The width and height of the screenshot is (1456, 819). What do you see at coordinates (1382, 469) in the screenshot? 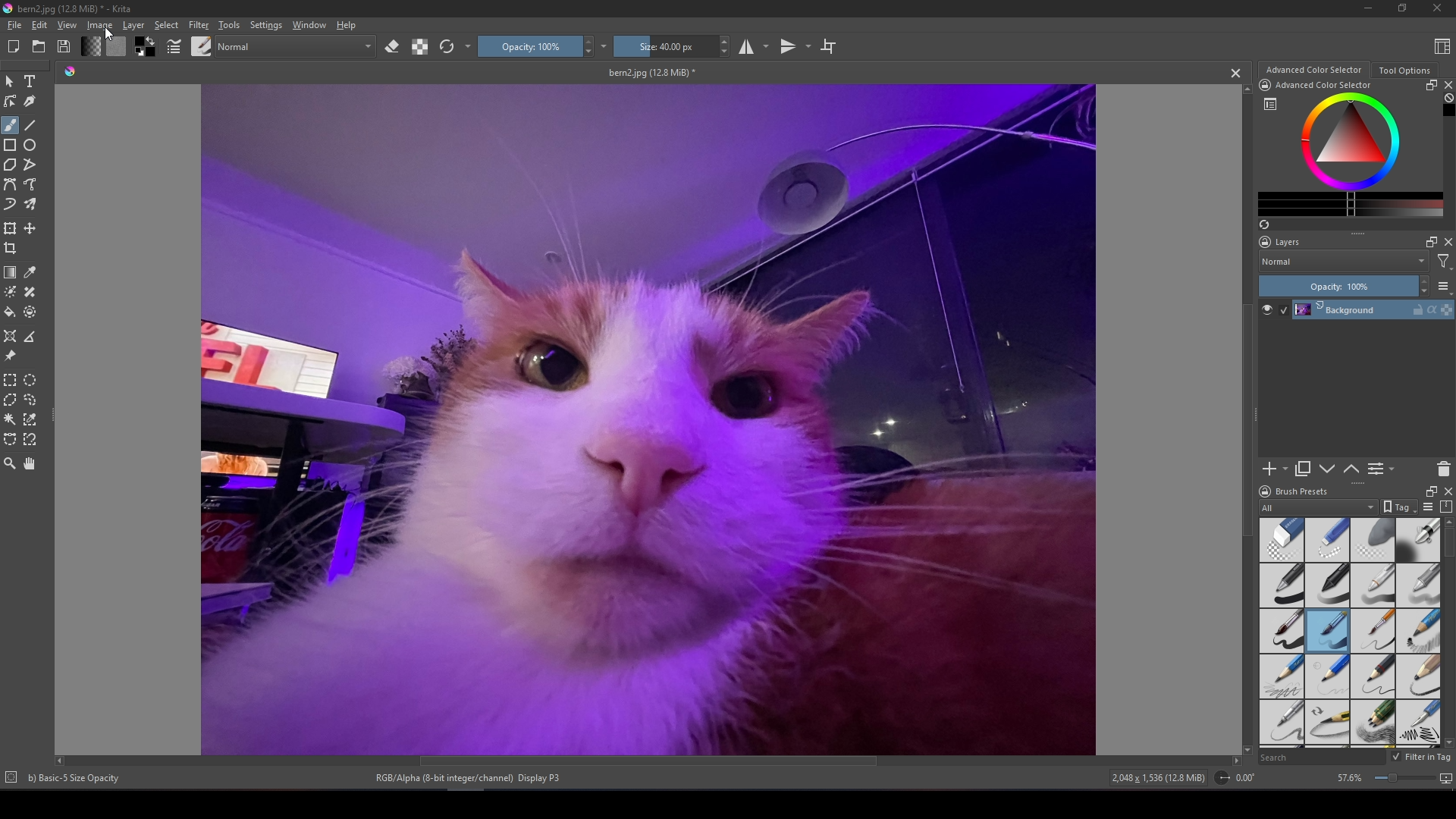
I see `View or change layer properties` at bounding box center [1382, 469].